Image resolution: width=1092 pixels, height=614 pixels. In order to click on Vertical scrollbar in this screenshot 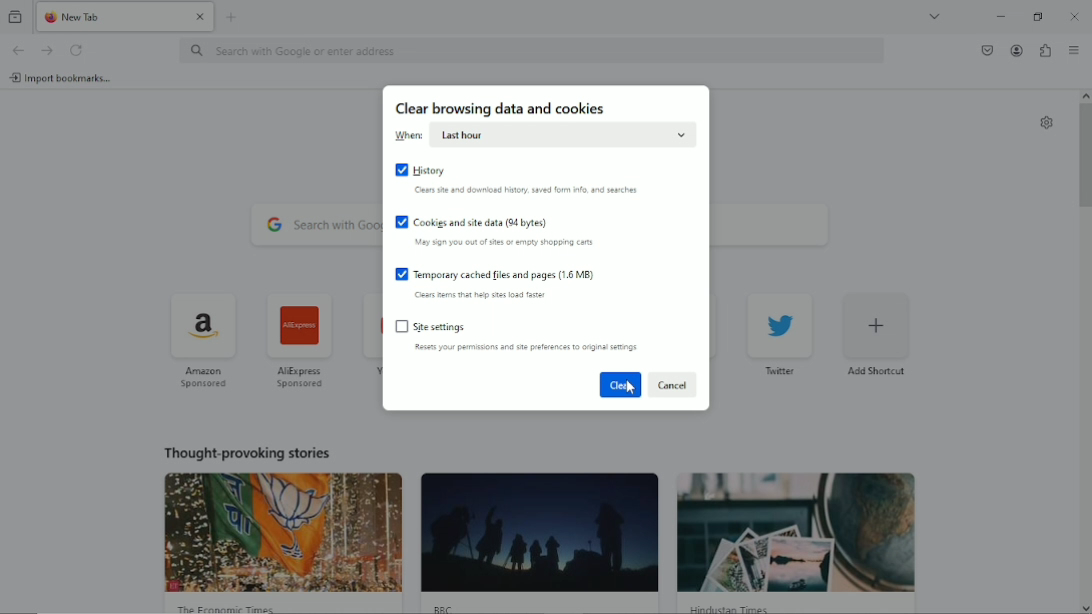, I will do `click(1084, 157)`.